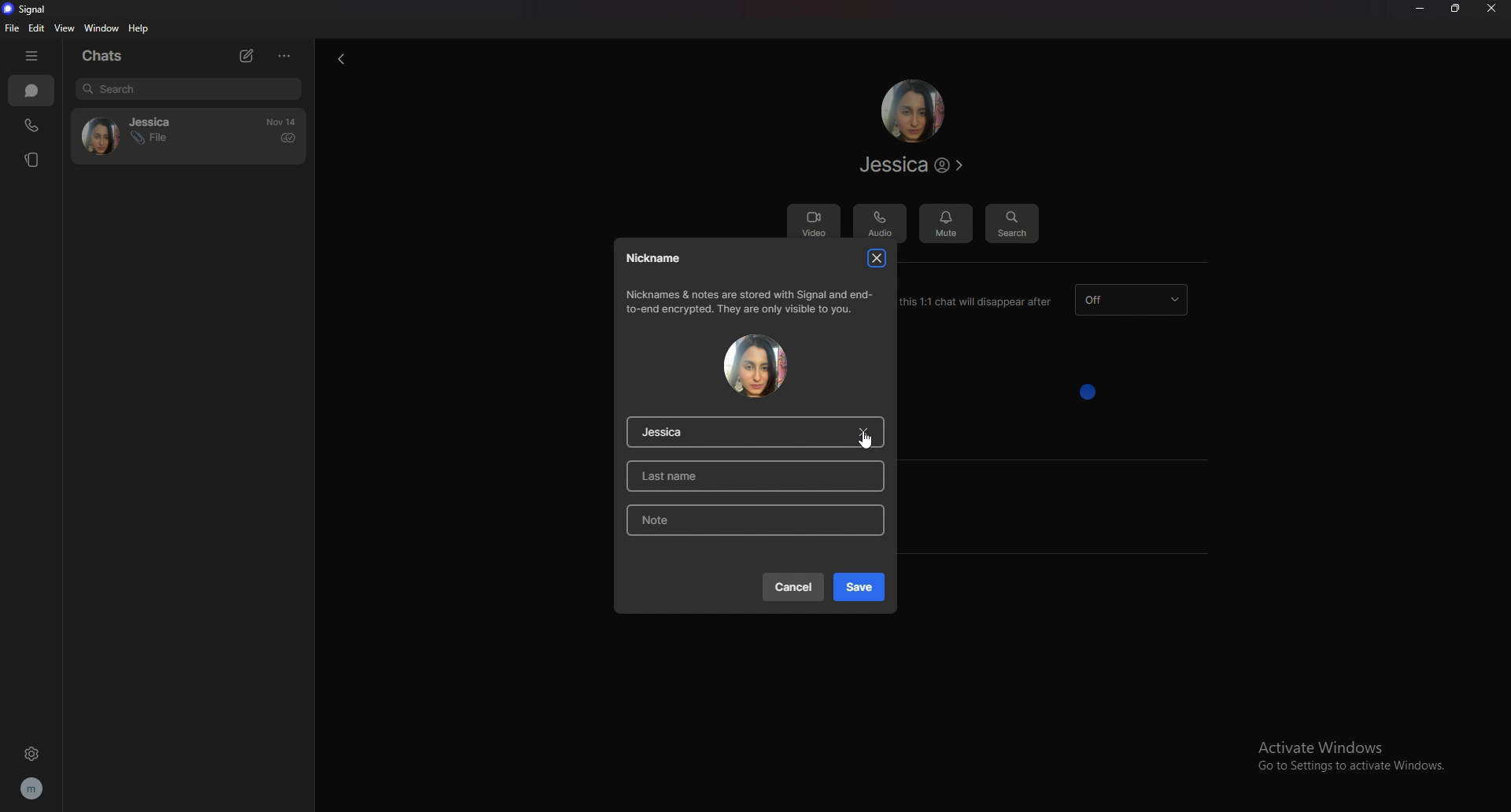 This screenshot has height=812, width=1511. What do you see at coordinates (38, 789) in the screenshot?
I see `profile` at bounding box center [38, 789].